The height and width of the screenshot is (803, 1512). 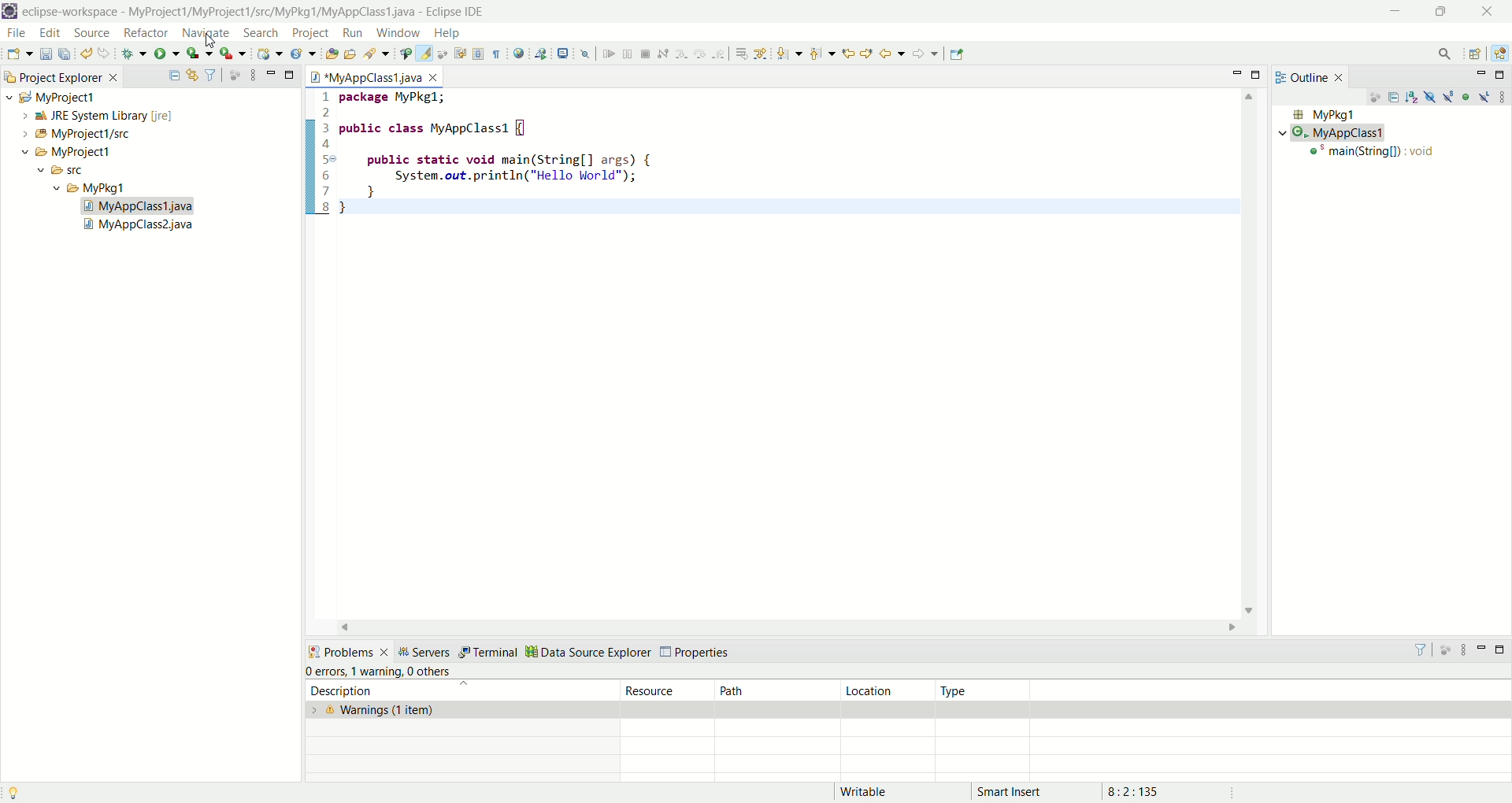 I want to click on save, so click(x=46, y=54).